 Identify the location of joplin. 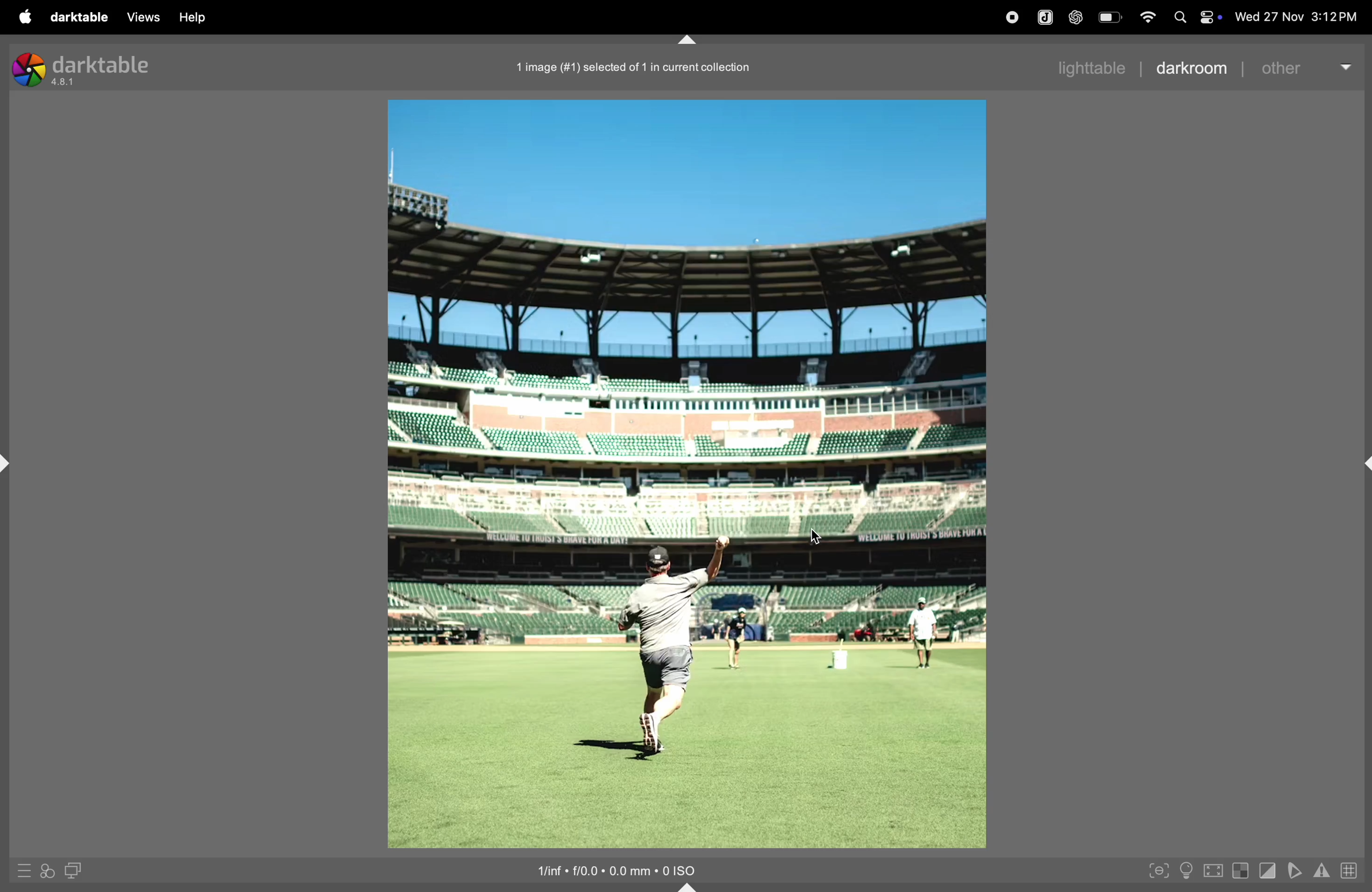
(1046, 17).